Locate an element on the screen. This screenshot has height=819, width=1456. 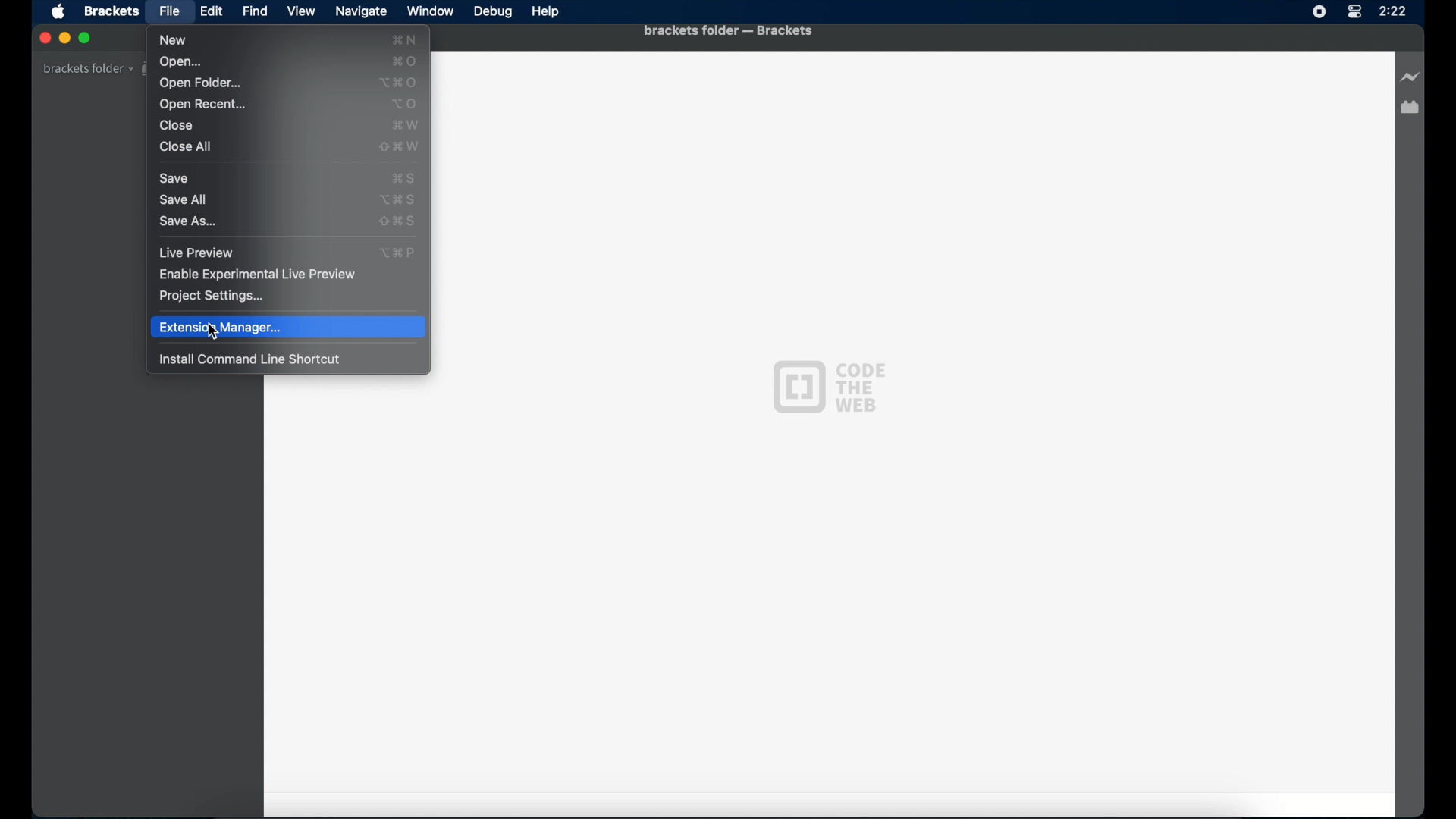
view is located at coordinates (301, 11).